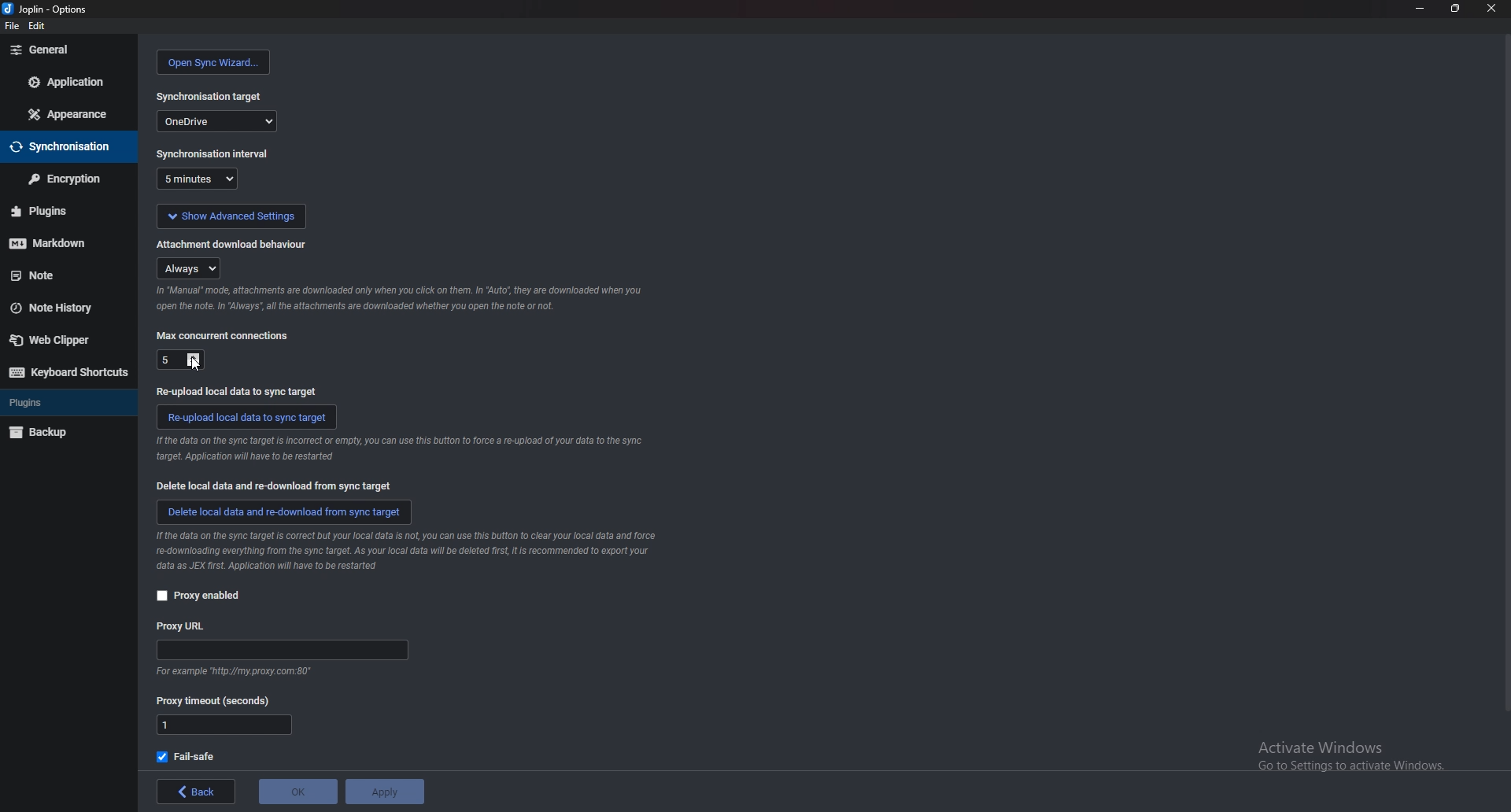 This screenshot has width=1511, height=812. I want to click on markdown, so click(61, 244).